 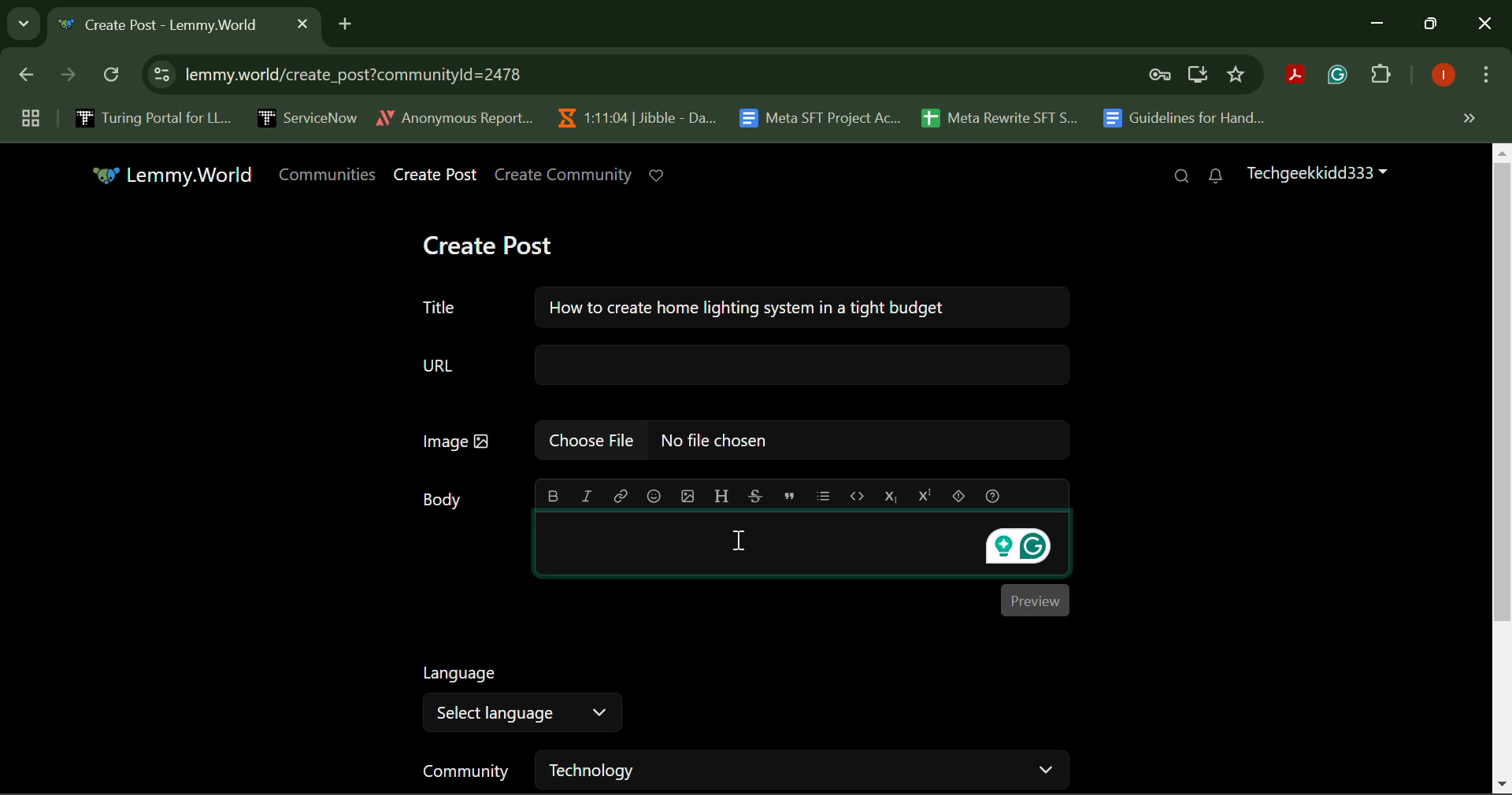 I want to click on code, so click(x=855, y=494).